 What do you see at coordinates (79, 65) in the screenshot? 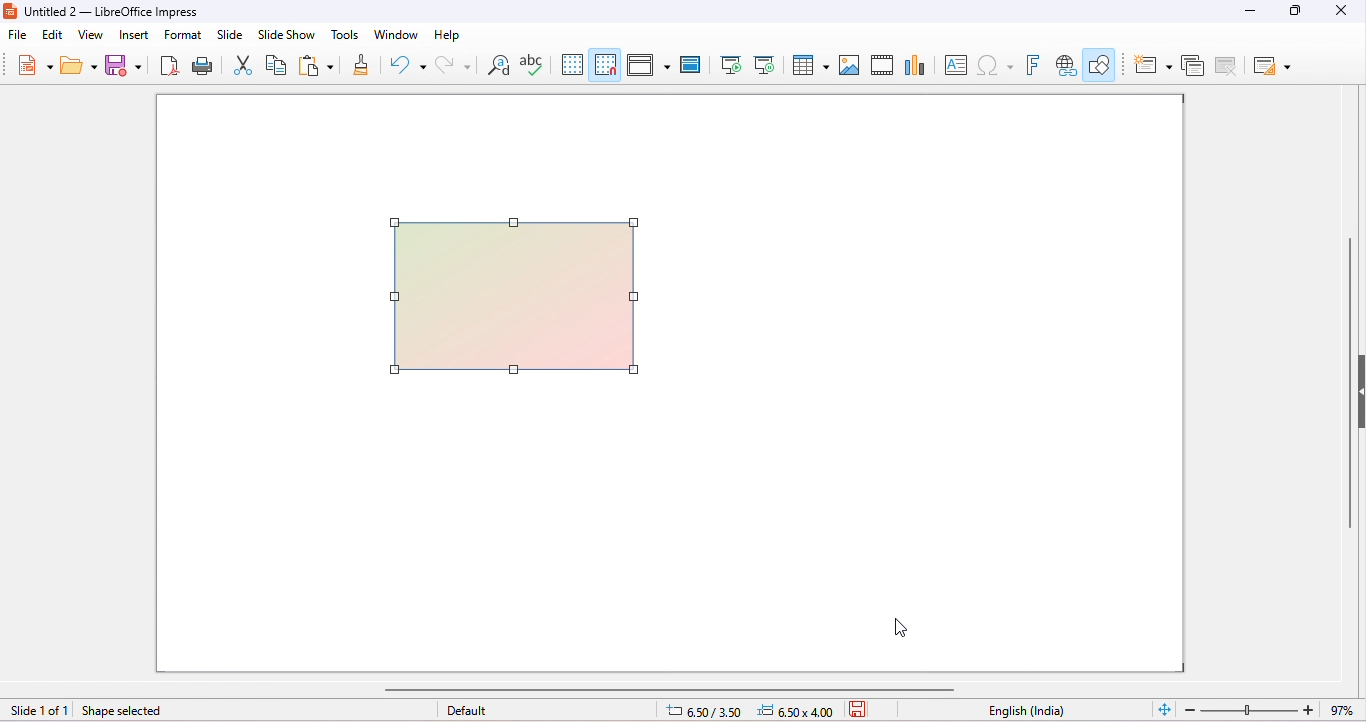
I see `open` at bounding box center [79, 65].